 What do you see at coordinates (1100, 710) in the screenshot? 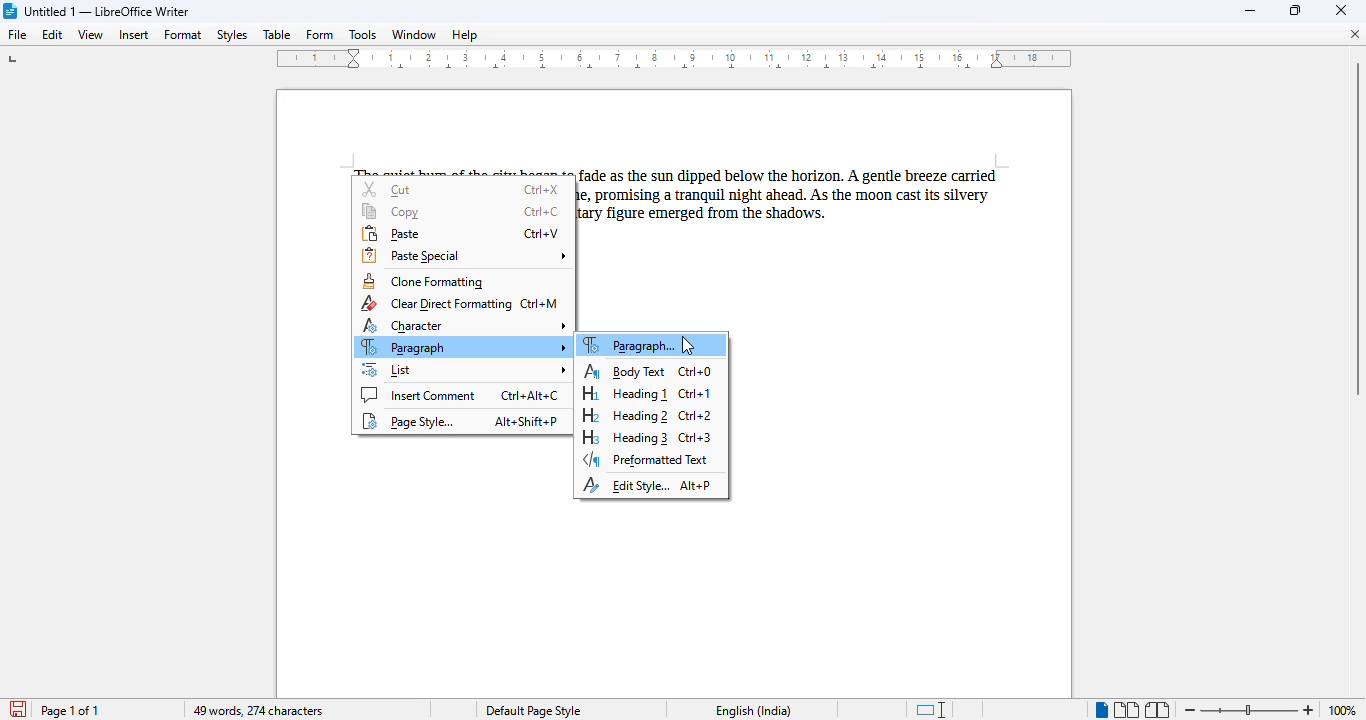
I see `single-page view` at bounding box center [1100, 710].